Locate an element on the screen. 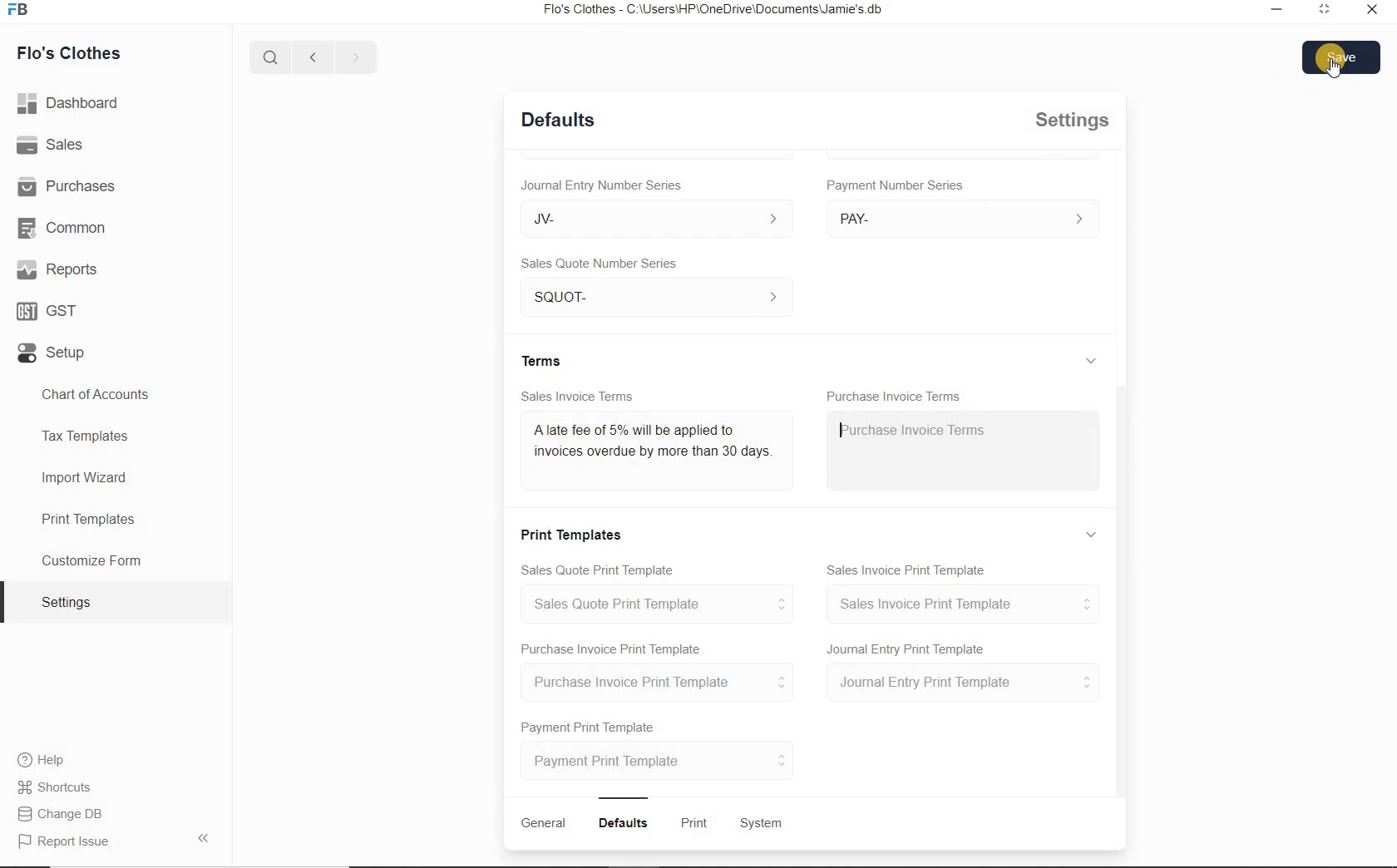 This screenshot has width=1397, height=868. Expand is located at coordinates (1322, 10).